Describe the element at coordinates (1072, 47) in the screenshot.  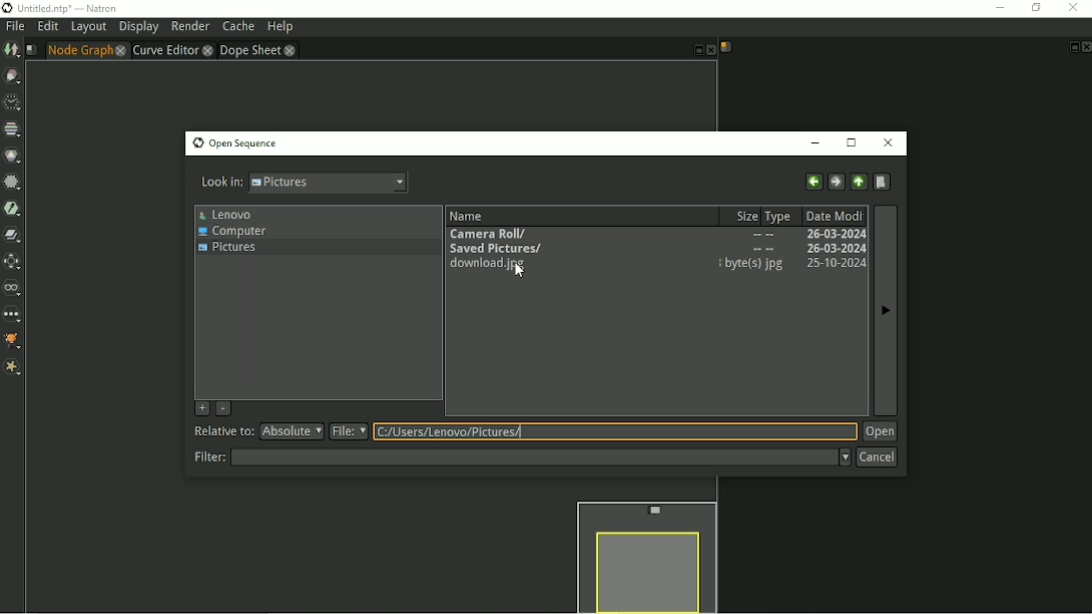
I see `Float pane` at that location.